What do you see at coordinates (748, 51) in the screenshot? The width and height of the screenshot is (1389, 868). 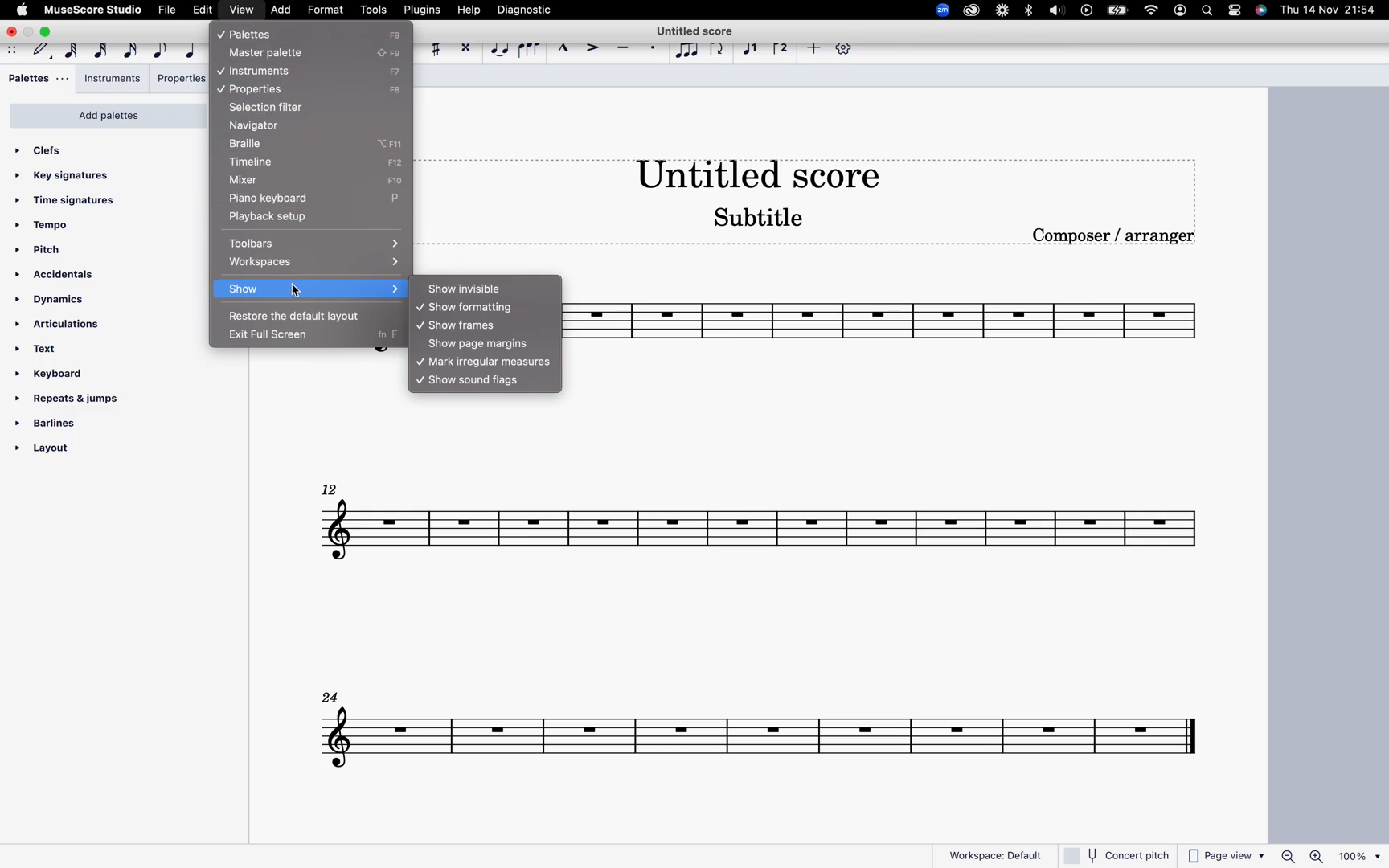 I see `voice 1` at bounding box center [748, 51].